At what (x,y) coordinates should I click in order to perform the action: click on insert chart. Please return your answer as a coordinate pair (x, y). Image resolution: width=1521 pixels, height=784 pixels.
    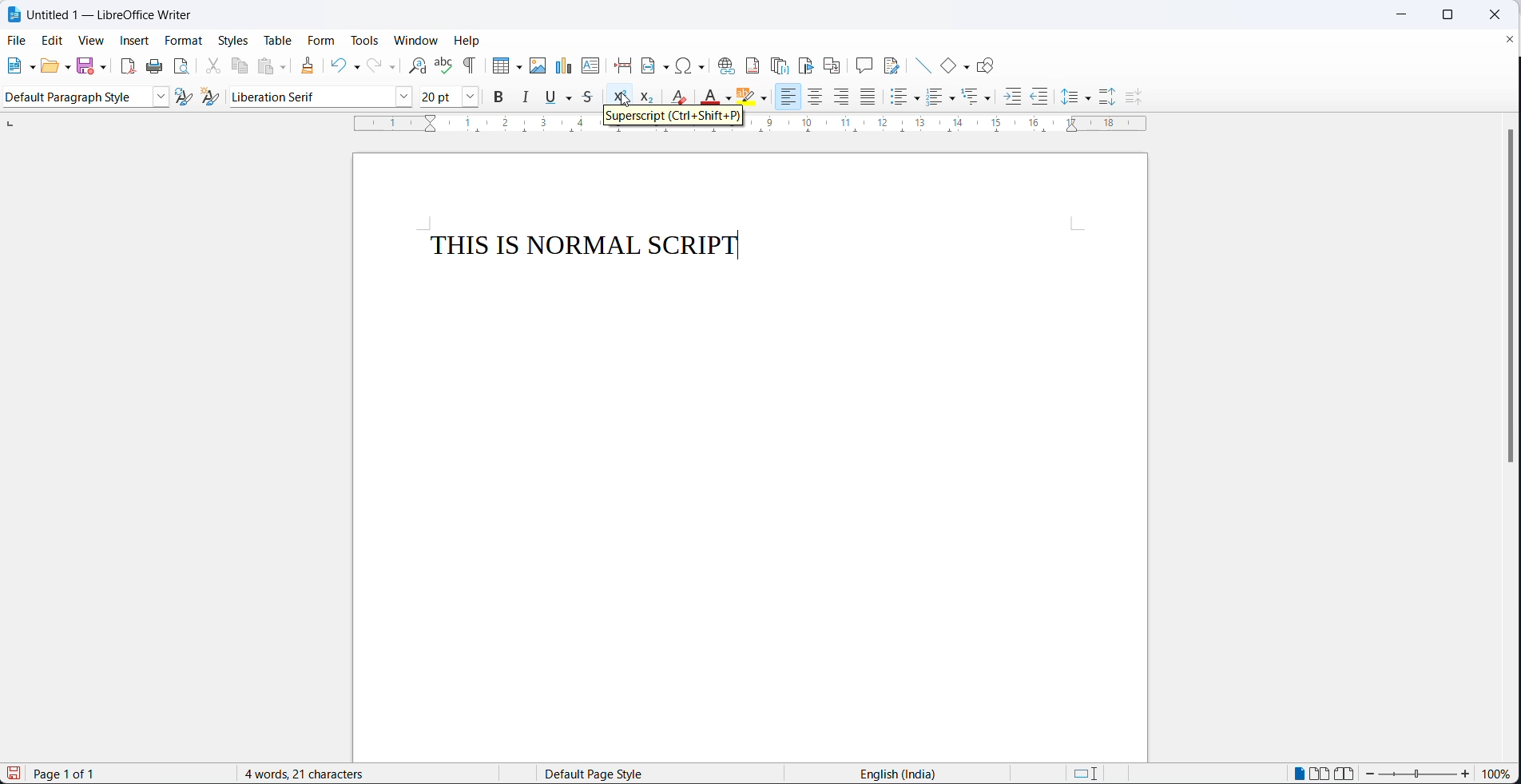
    Looking at the image, I should click on (563, 65).